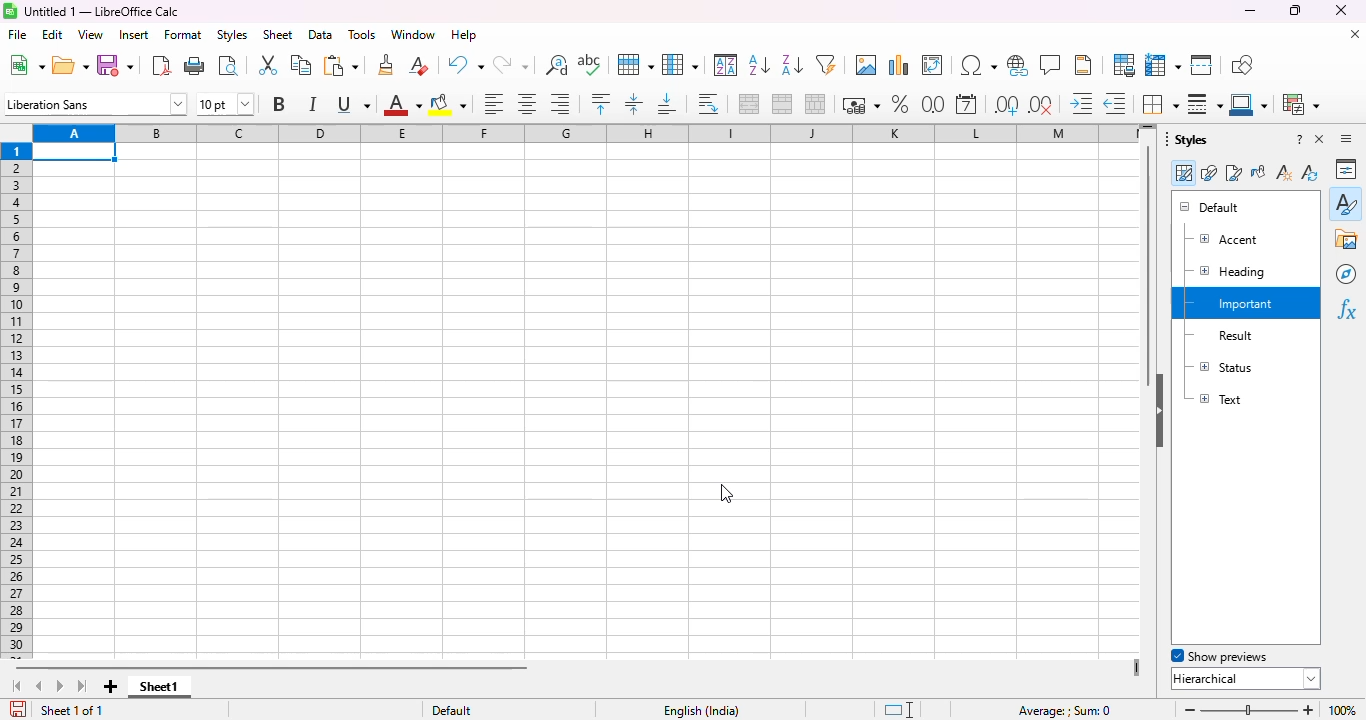  I want to click on merge cells, so click(782, 104).